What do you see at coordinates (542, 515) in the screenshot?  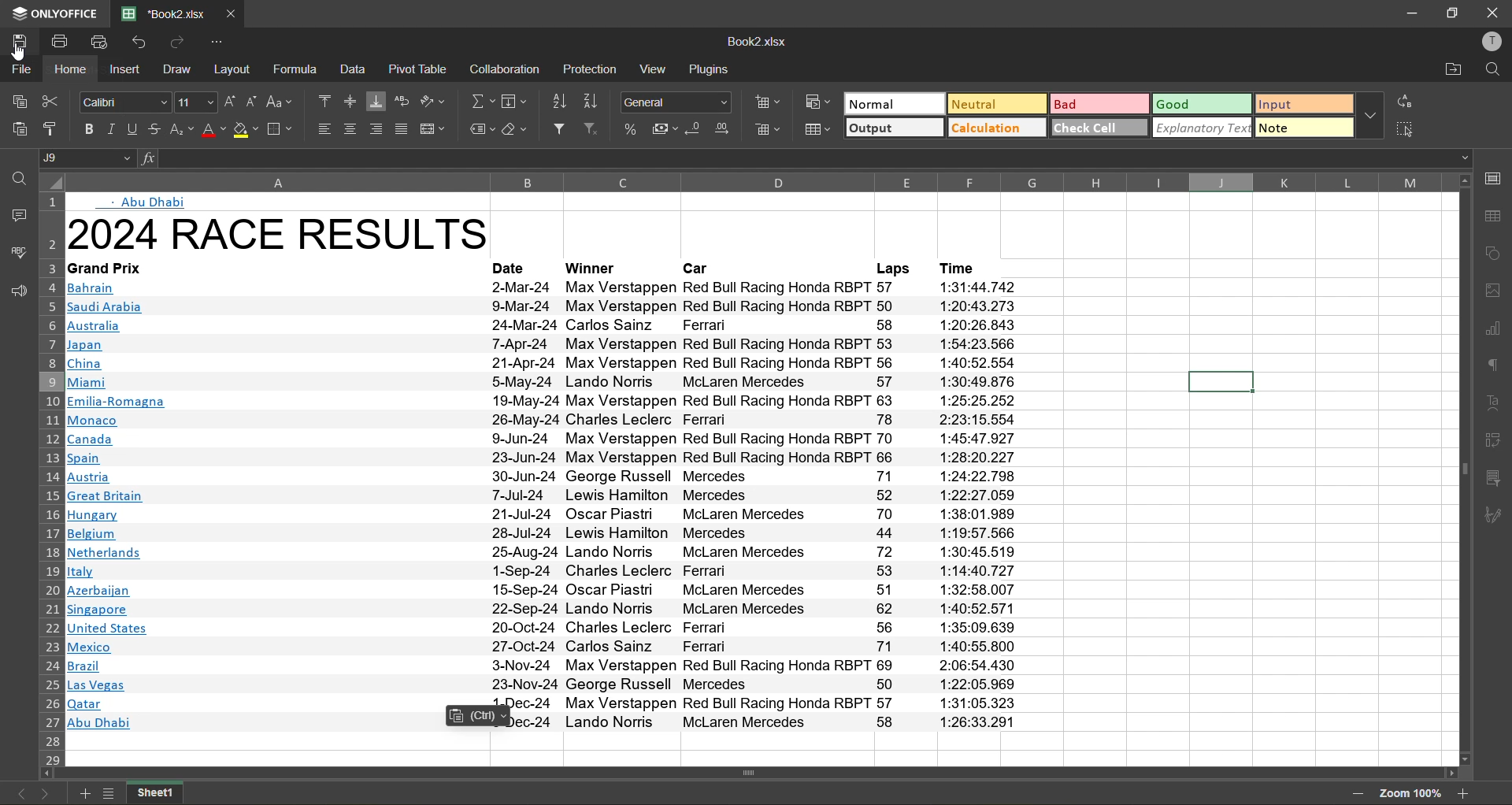 I see `text info` at bounding box center [542, 515].